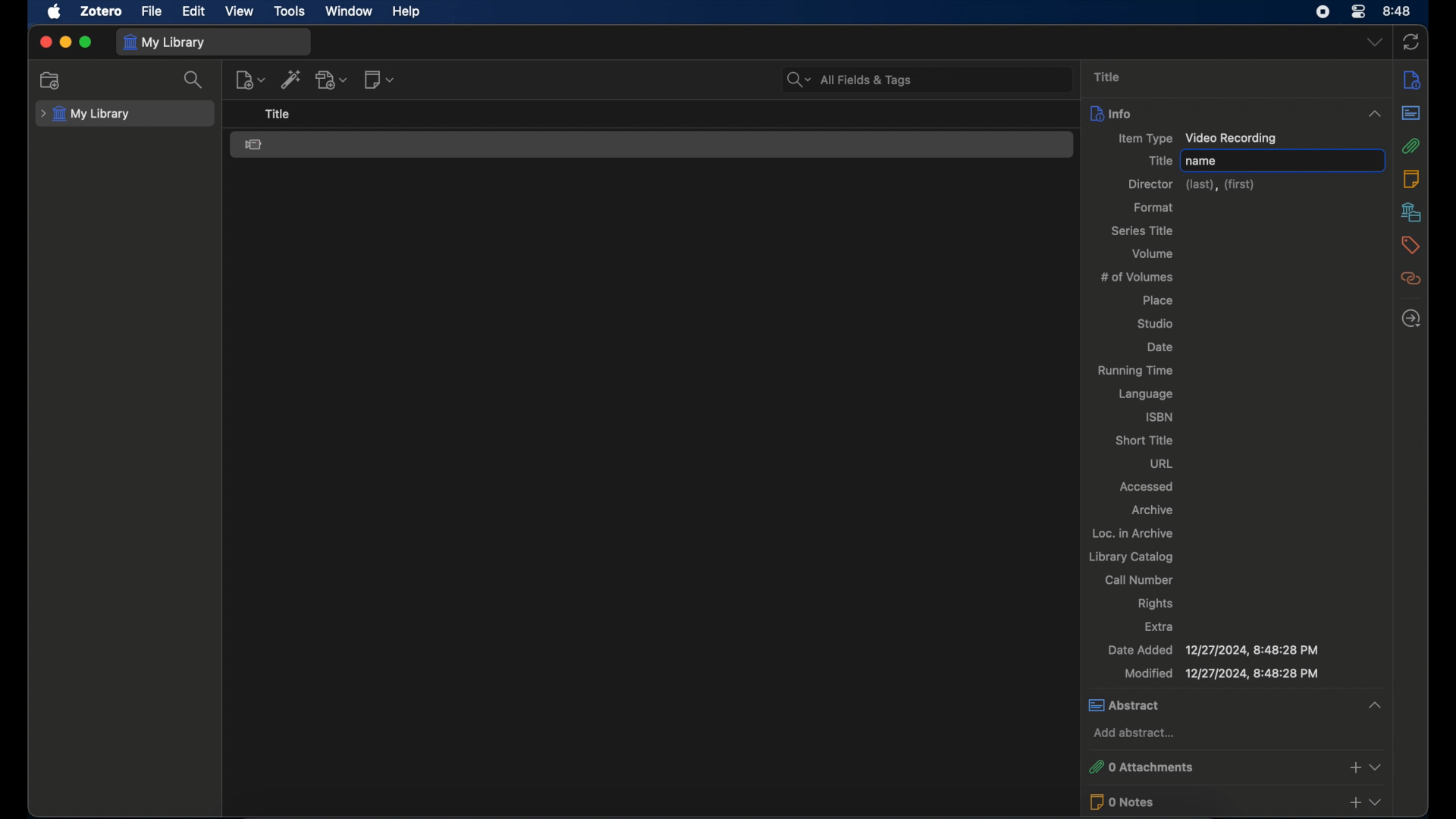 The width and height of the screenshot is (1456, 819). Describe the element at coordinates (379, 80) in the screenshot. I see `new note` at that location.